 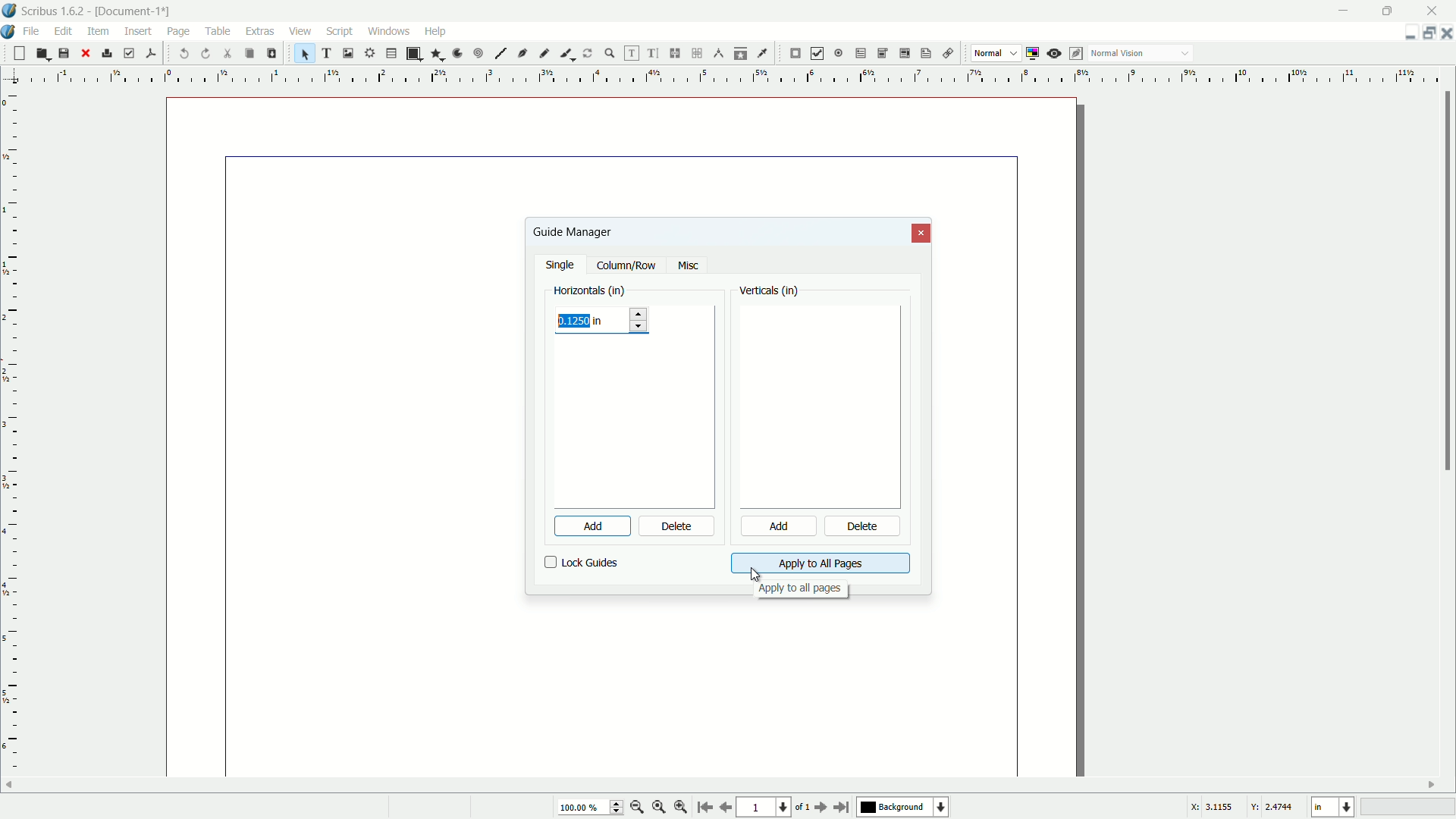 I want to click on measurements, so click(x=719, y=54).